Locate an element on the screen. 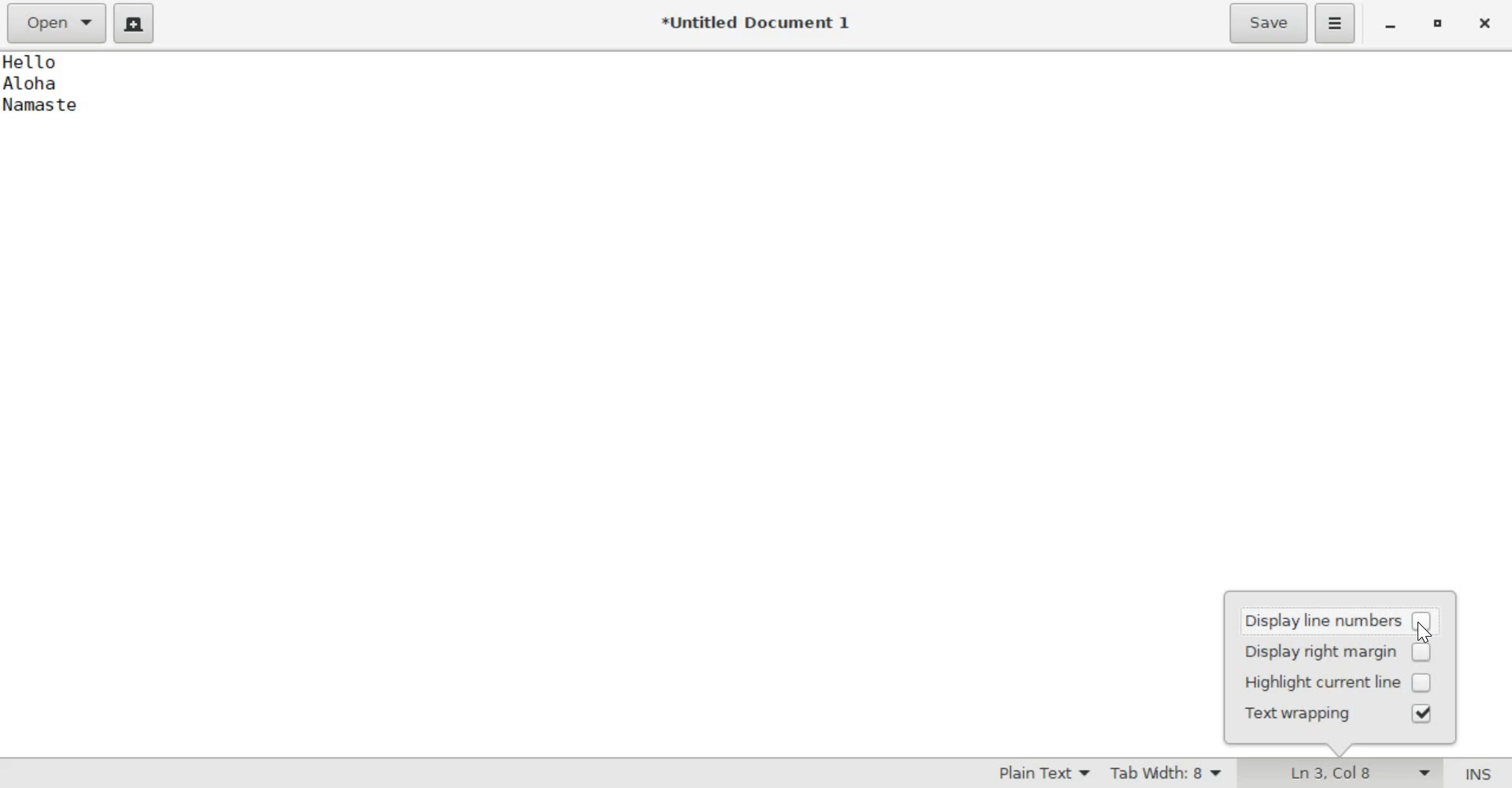  maximize is located at coordinates (1437, 24).